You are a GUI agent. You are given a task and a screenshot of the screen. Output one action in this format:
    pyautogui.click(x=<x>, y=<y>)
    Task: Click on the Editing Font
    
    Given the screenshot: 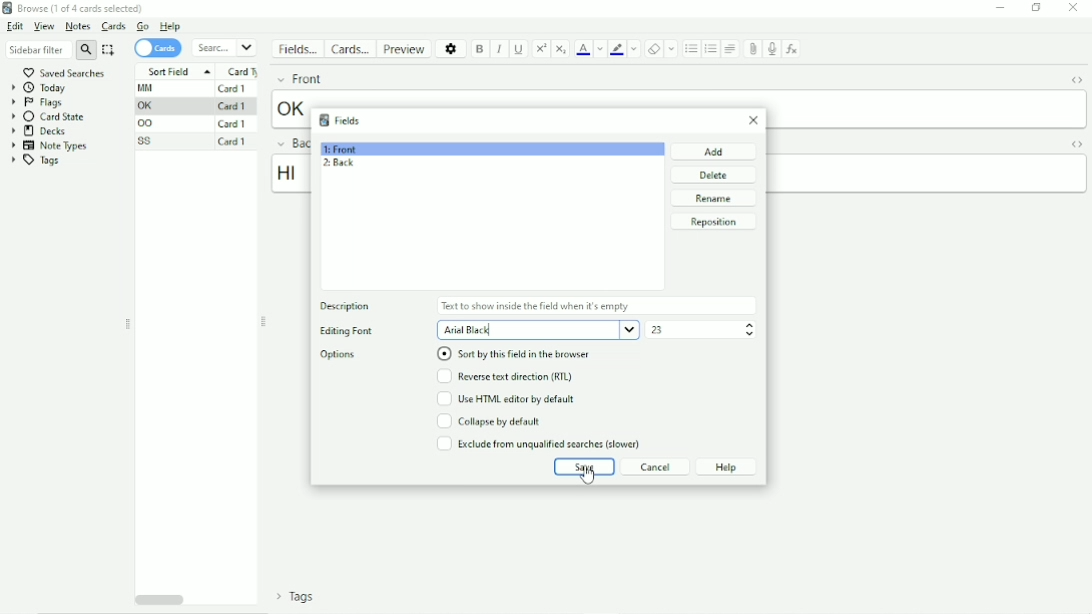 What is the action you would take?
    pyautogui.click(x=345, y=332)
    